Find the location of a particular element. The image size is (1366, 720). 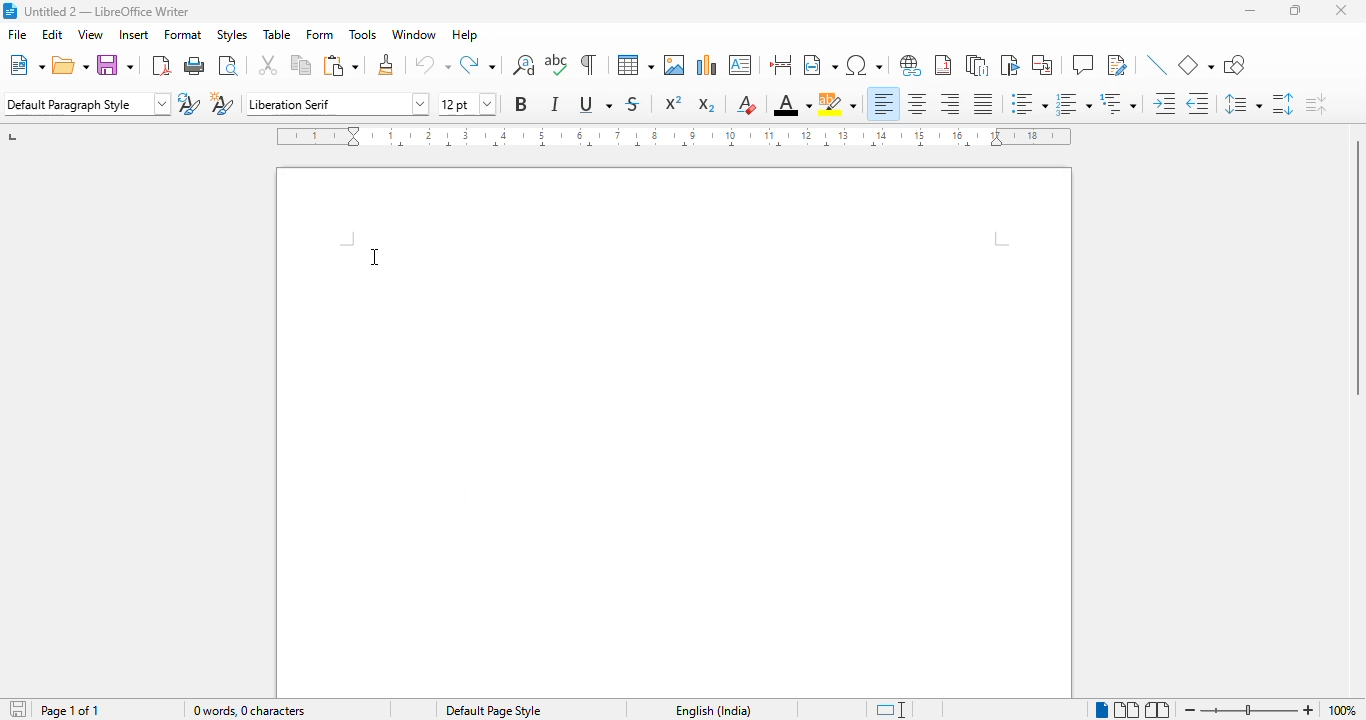

set line spacing is located at coordinates (1244, 104).